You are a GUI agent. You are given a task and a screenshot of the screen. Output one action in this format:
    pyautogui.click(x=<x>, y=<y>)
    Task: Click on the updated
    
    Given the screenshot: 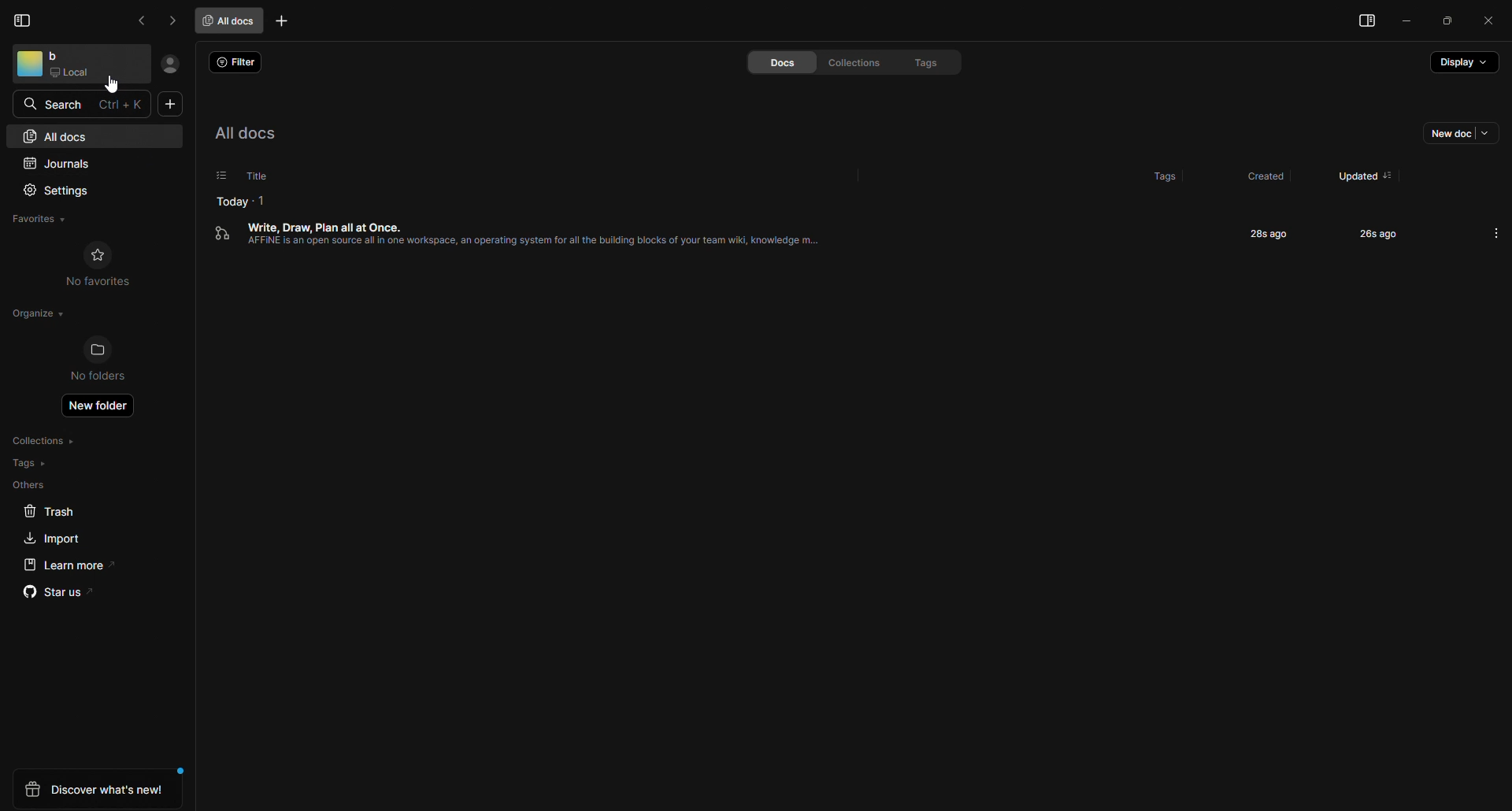 What is the action you would take?
    pyautogui.click(x=1352, y=170)
    